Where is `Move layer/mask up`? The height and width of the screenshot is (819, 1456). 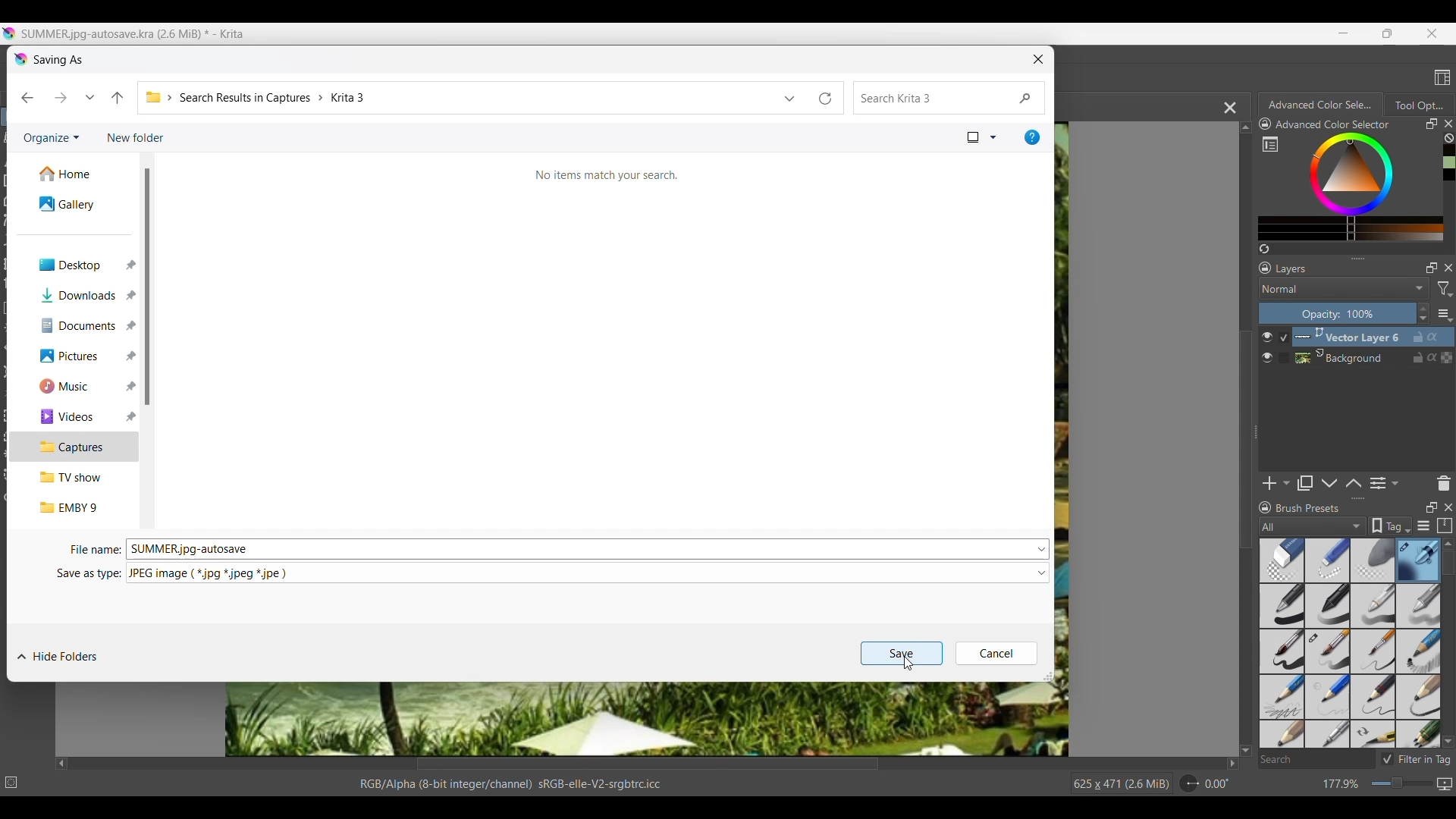
Move layer/mask up is located at coordinates (1353, 483).